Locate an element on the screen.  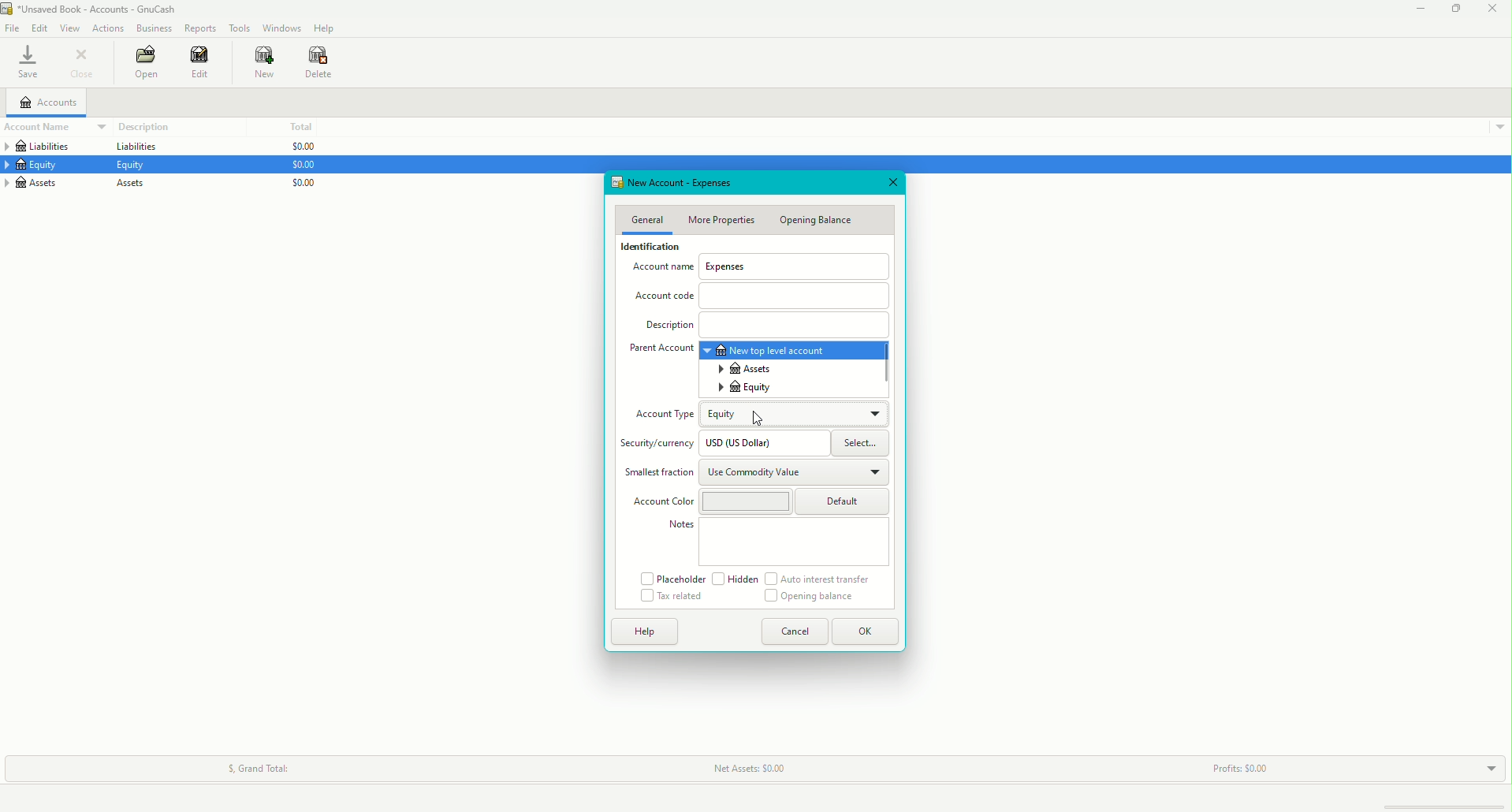
General is located at coordinates (647, 220).